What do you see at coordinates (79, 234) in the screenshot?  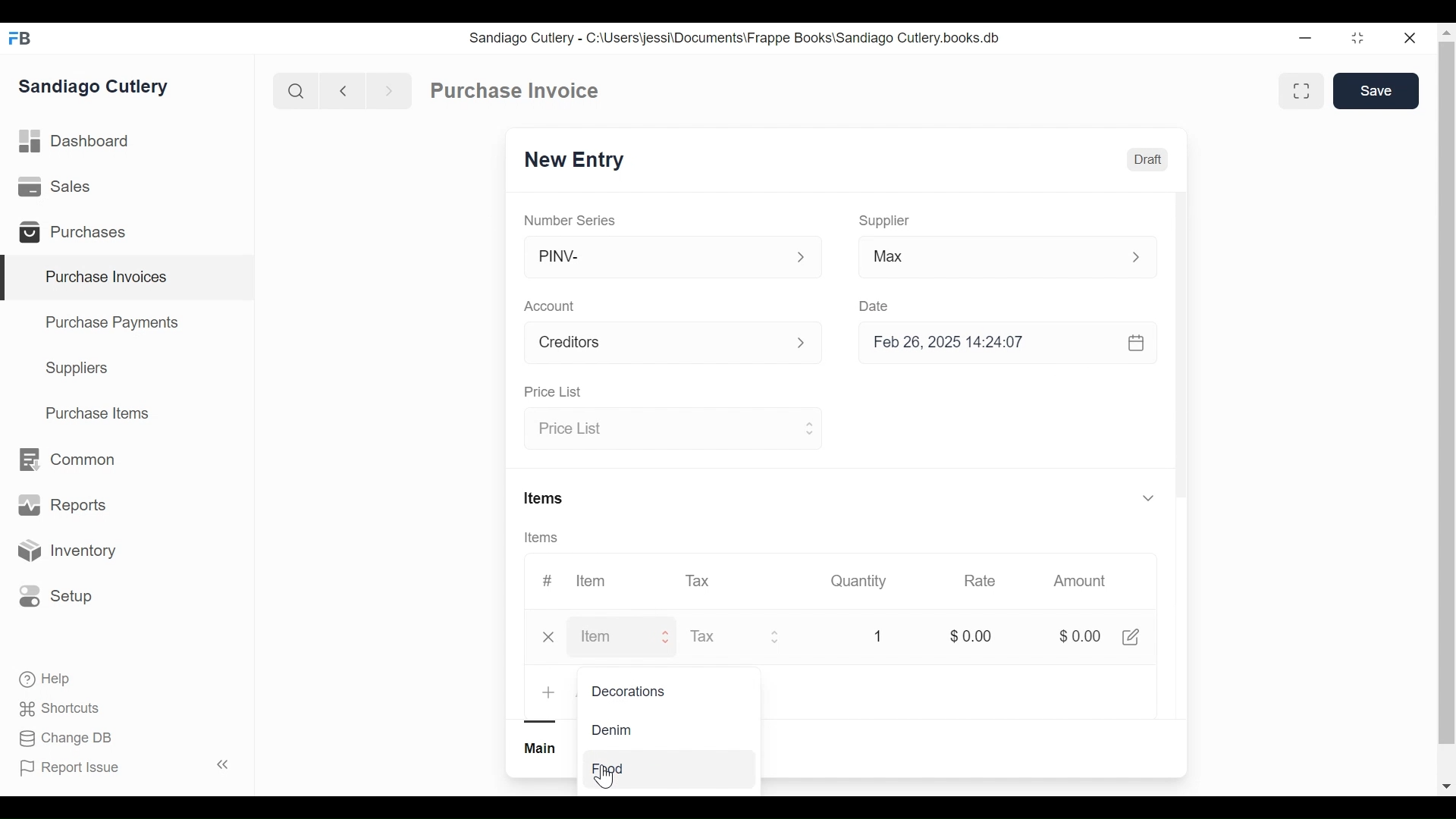 I see `Purchases` at bounding box center [79, 234].